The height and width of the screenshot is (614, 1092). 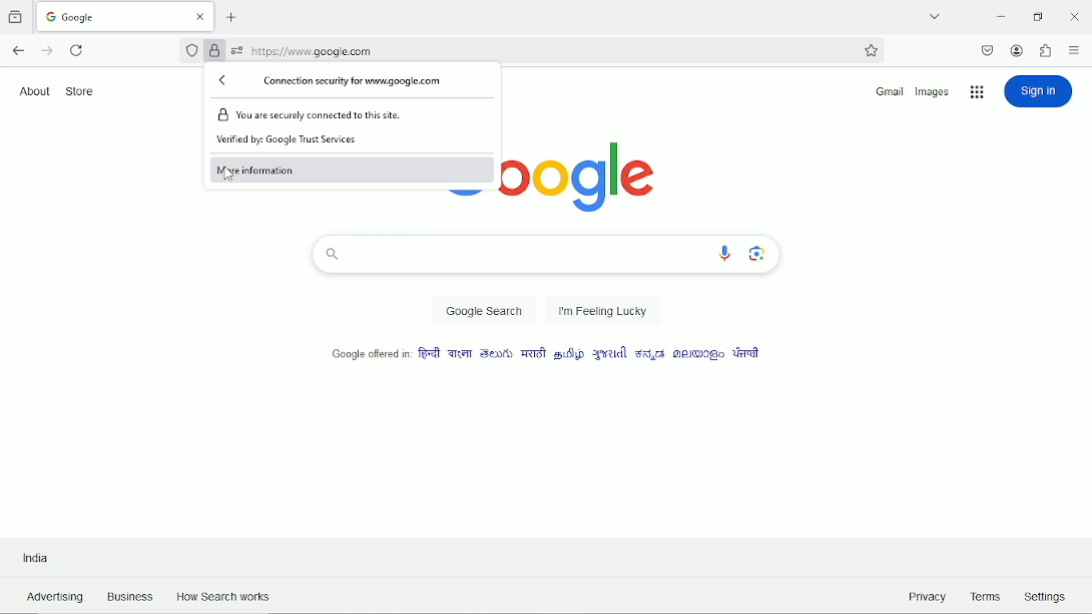 What do you see at coordinates (428, 353) in the screenshot?
I see `language` at bounding box center [428, 353].